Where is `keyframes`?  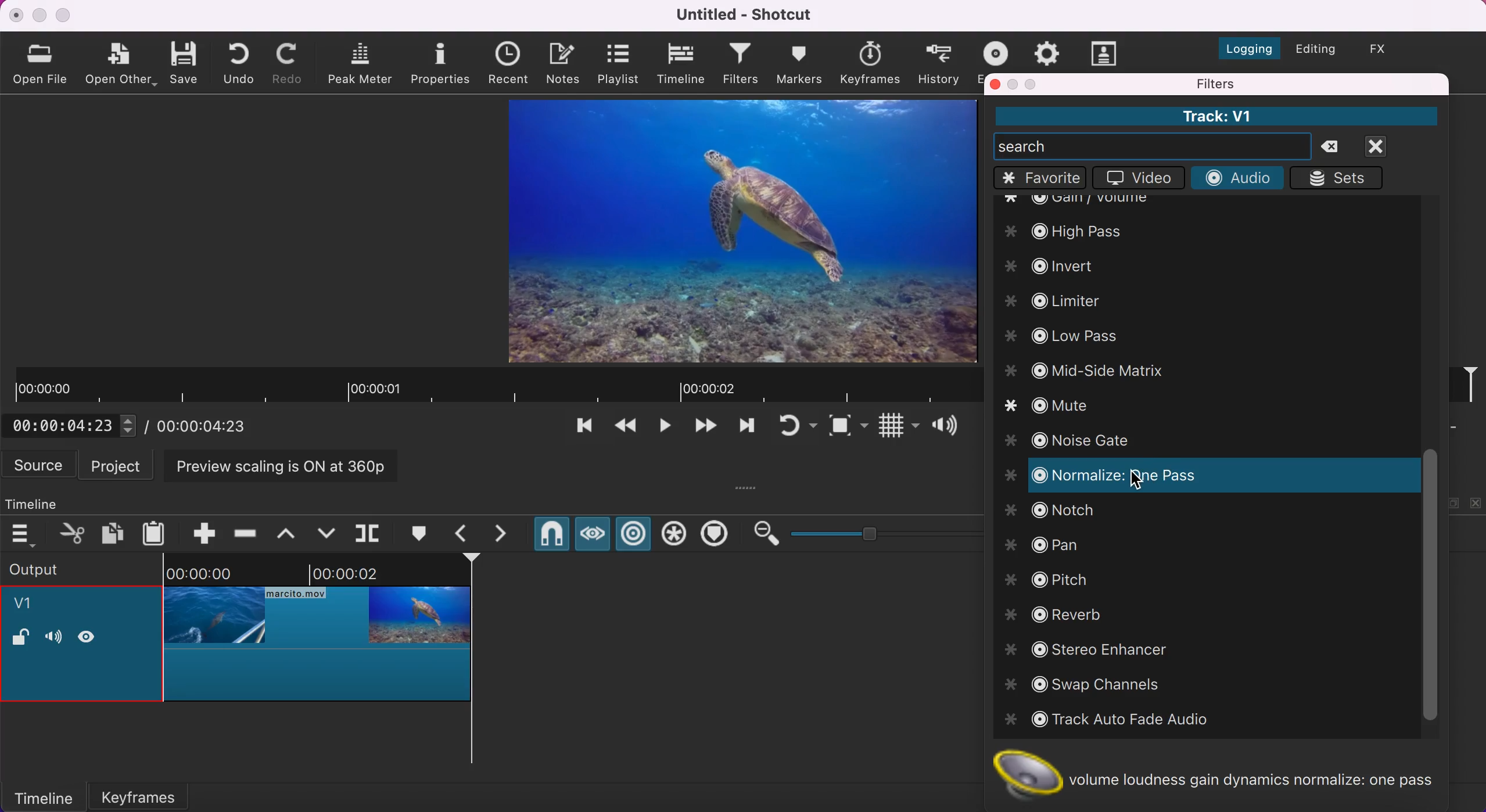 keyframes is located at coordinates (869, 63).